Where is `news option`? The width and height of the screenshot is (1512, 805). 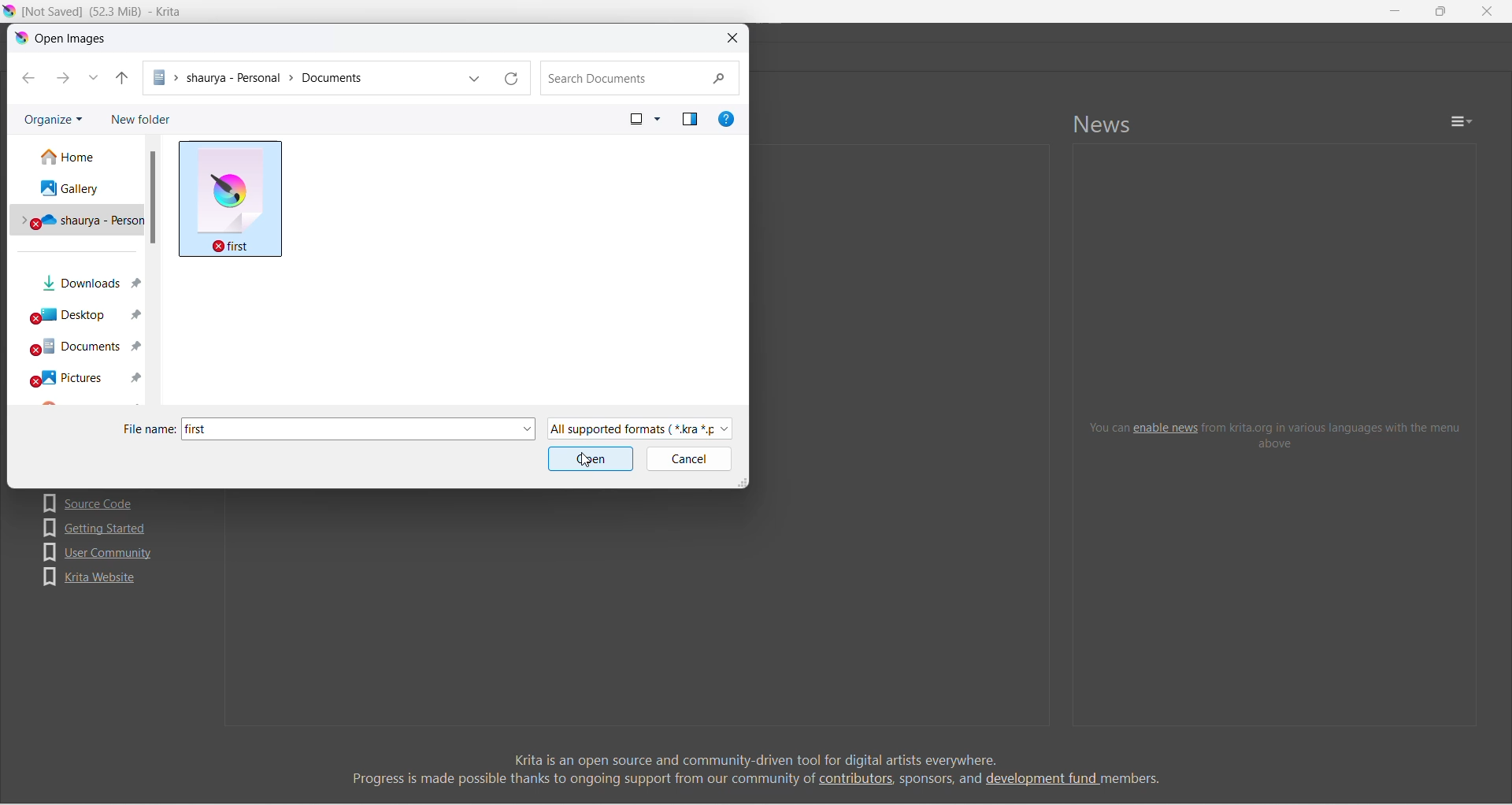 news option is located at coordinates (1462, 121).